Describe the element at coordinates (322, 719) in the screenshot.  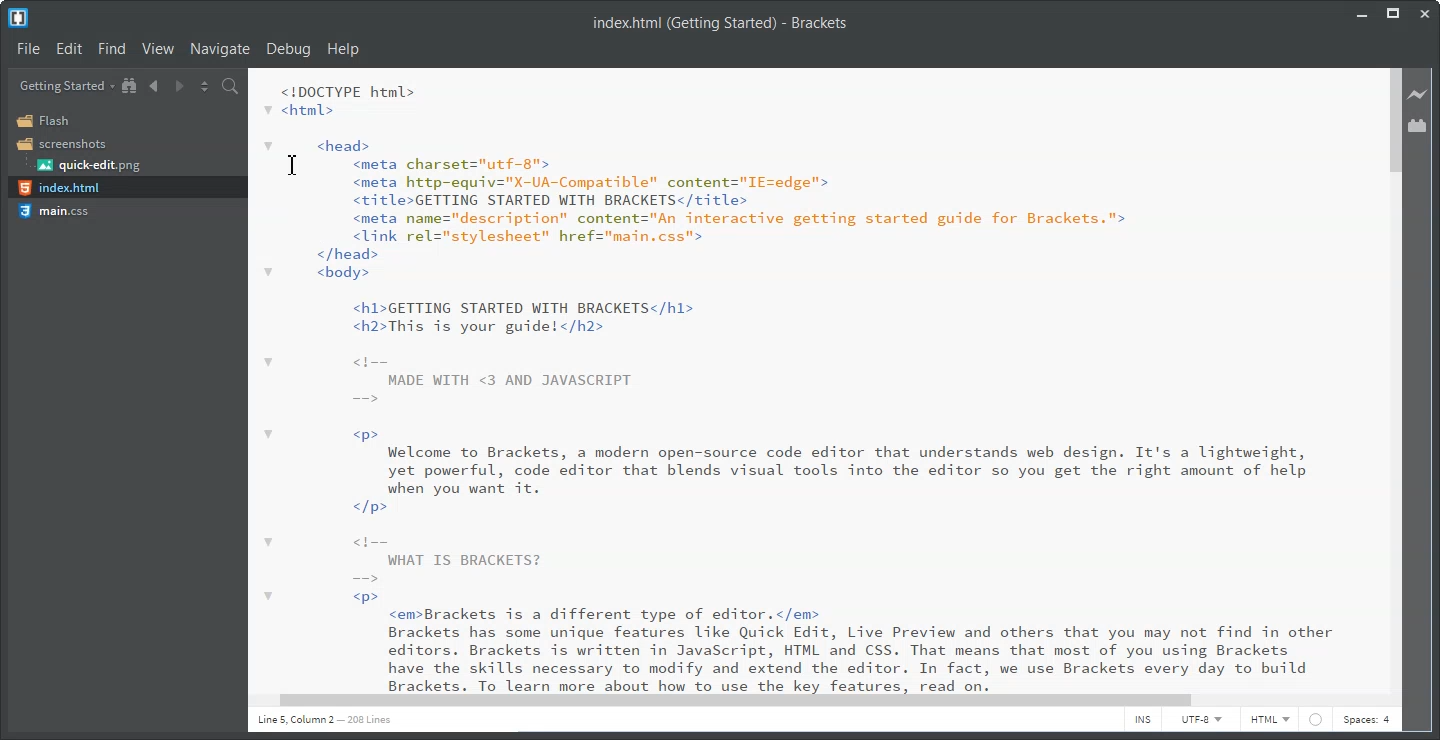
I see `line 1 column 5 208 lines` at that location.